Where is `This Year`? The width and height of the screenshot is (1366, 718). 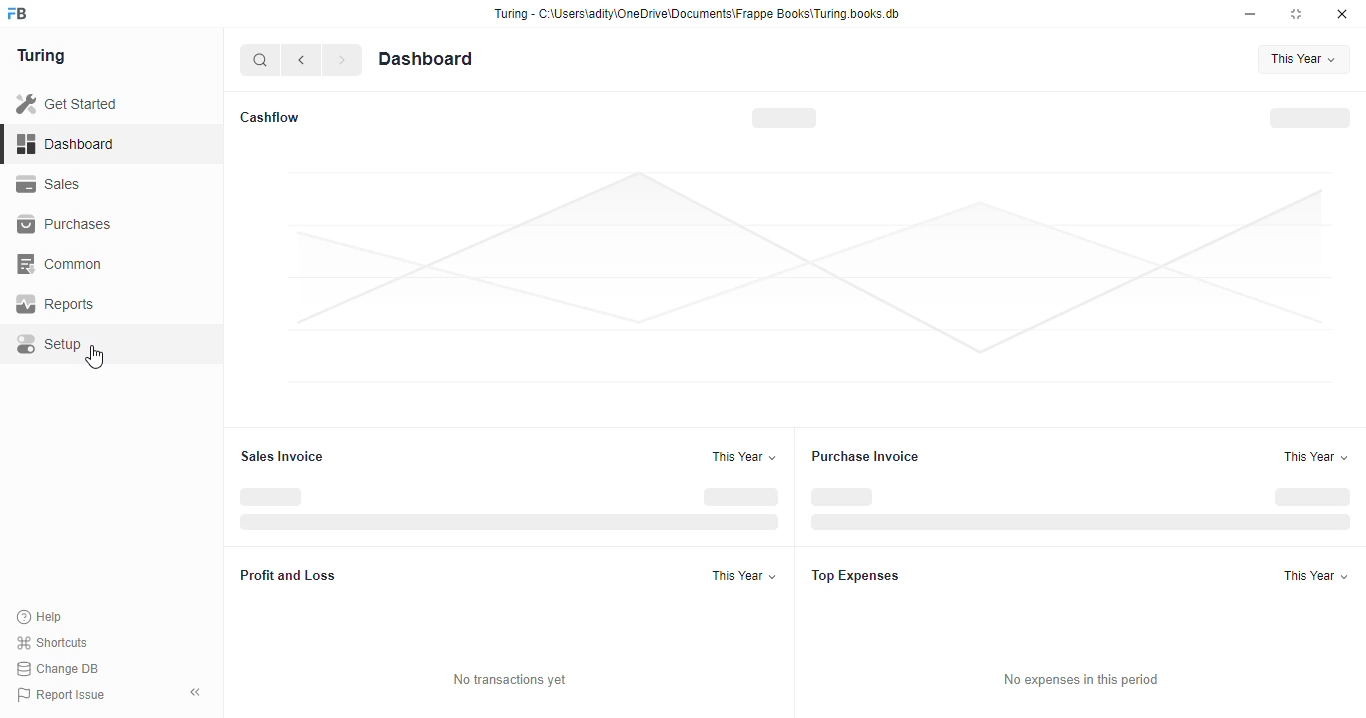
This Year is located at coordinates (746, 456).